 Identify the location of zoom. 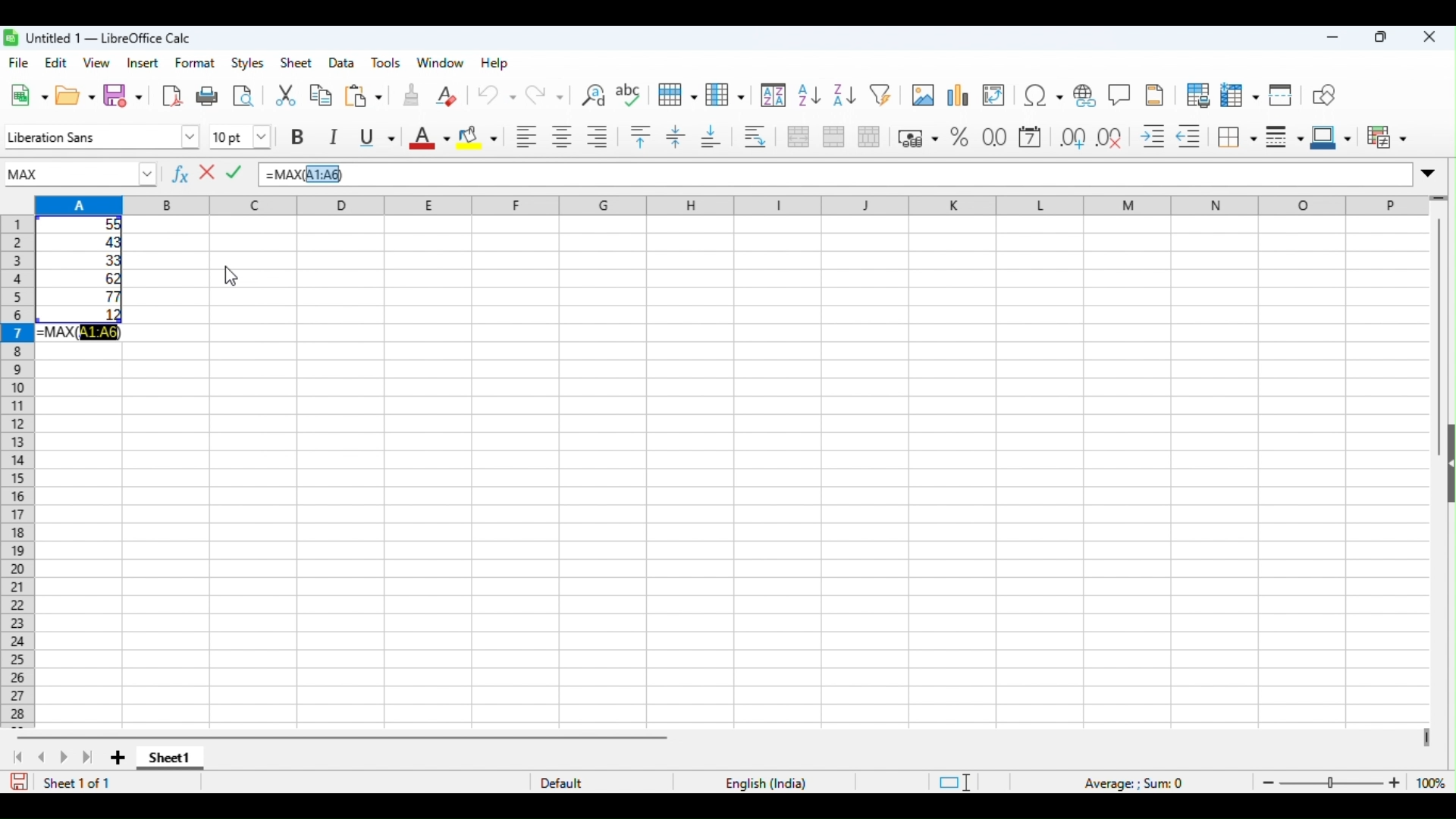
(1350, 782).